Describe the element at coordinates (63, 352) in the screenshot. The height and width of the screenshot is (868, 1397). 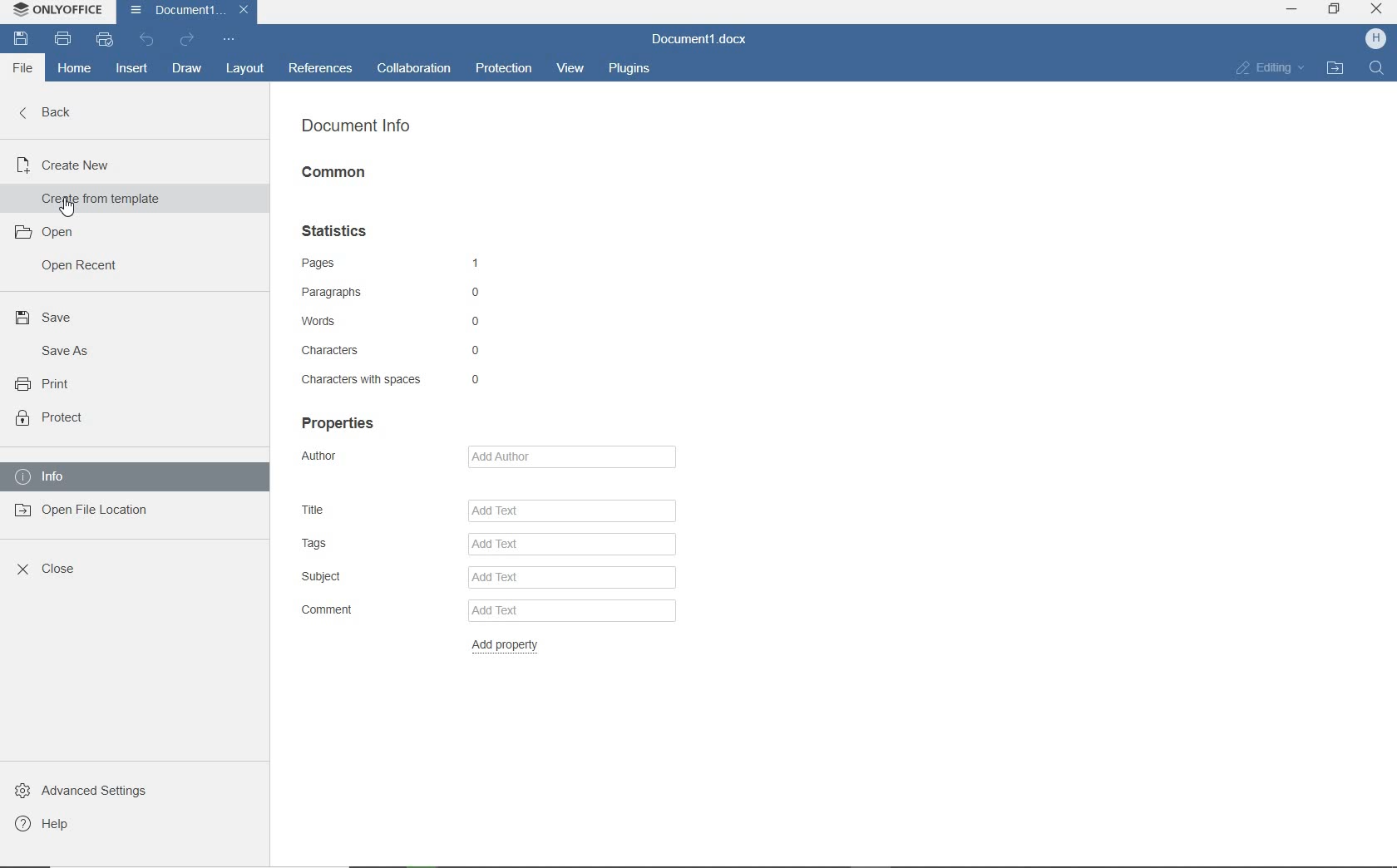
I see `save as` at that location.